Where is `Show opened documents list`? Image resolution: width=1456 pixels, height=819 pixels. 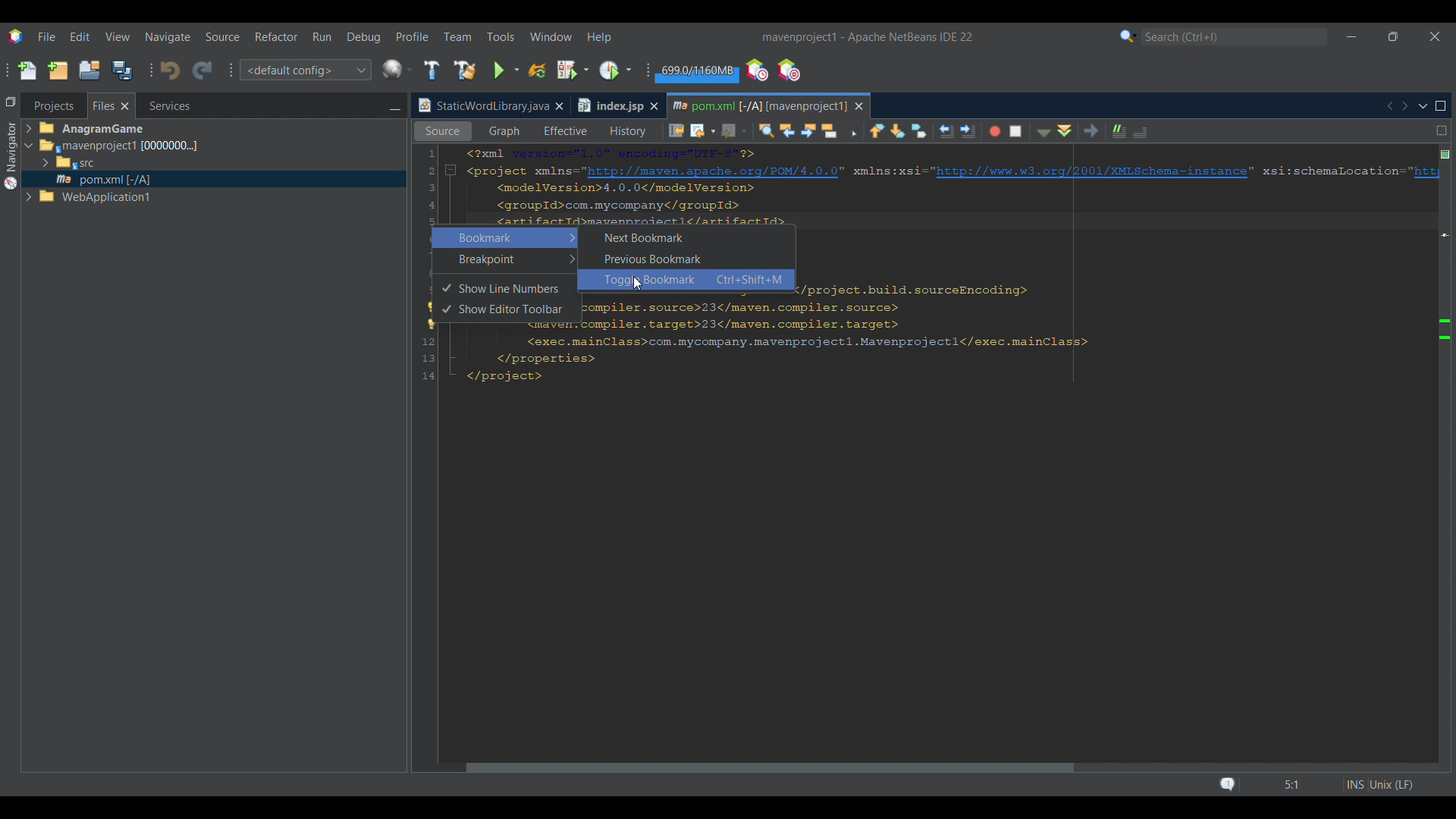
Show opened documents list is located at coordinates (1423, 107).